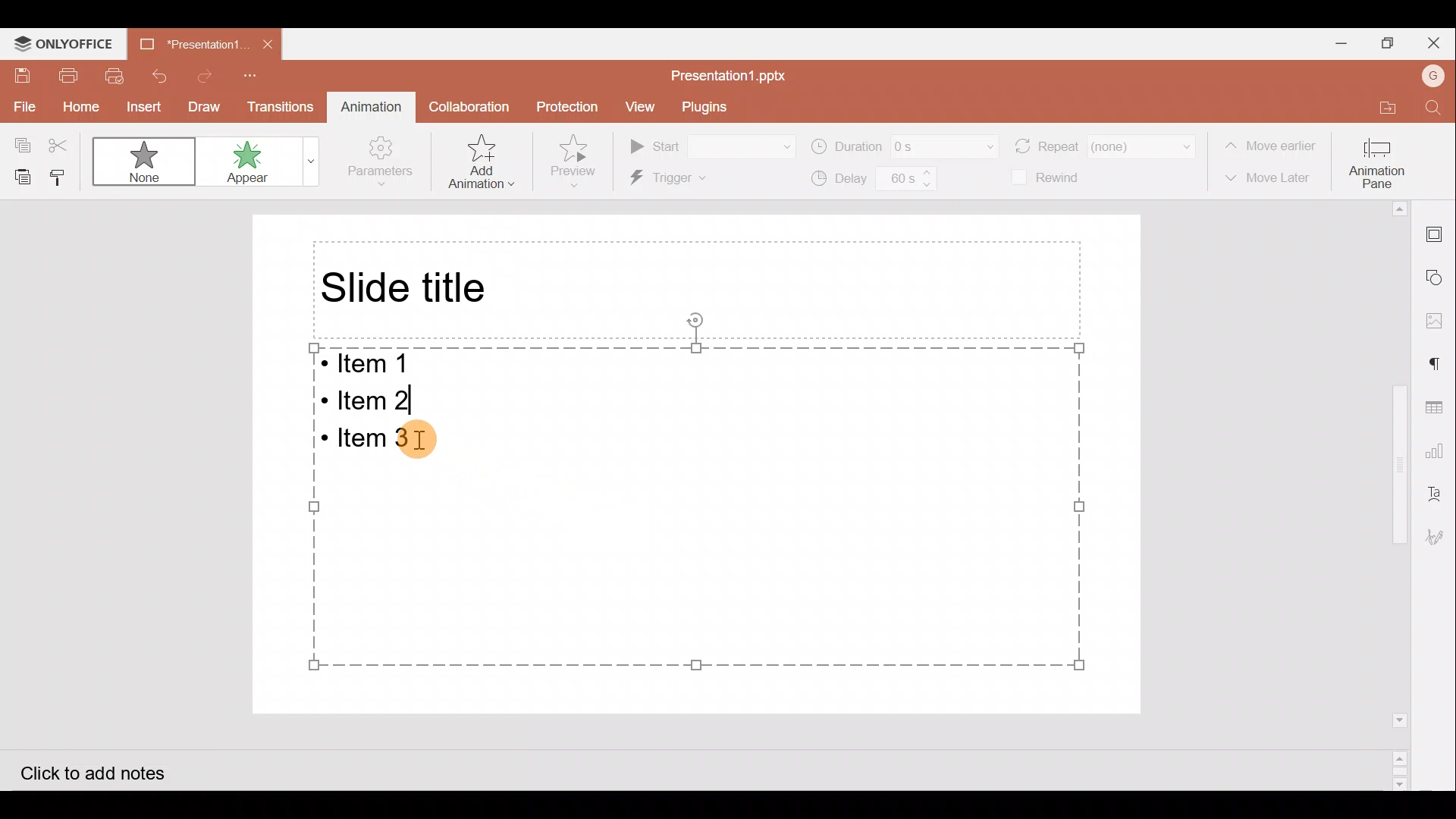 The width and height of the screenshot is (1456, 819). Describe the element at coordinates (1439, 407) in the screenshot. I see `Table settings` at that location.